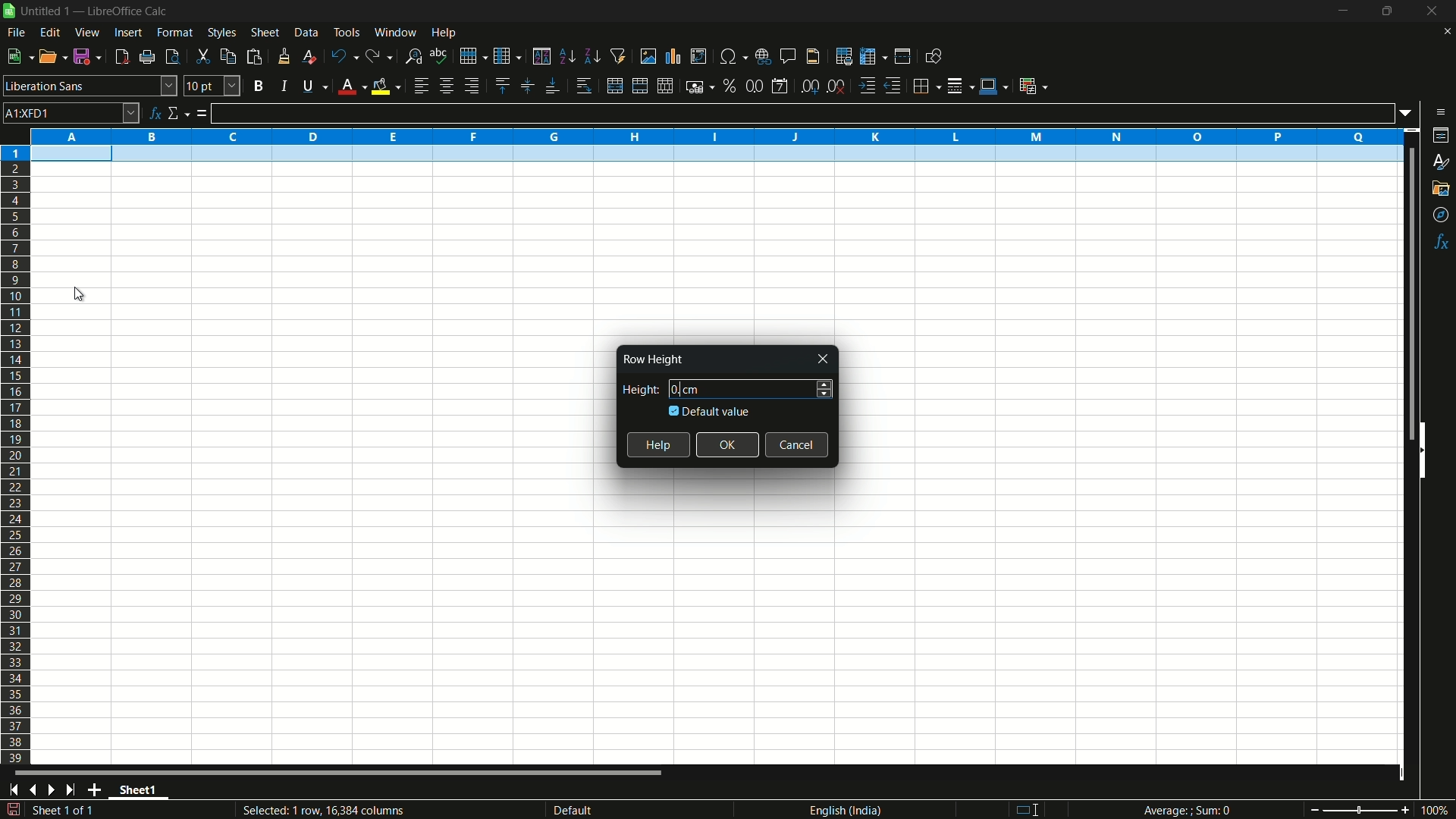 The image size is (1456, 819). I want to click on format as currency, so click(700, 86).